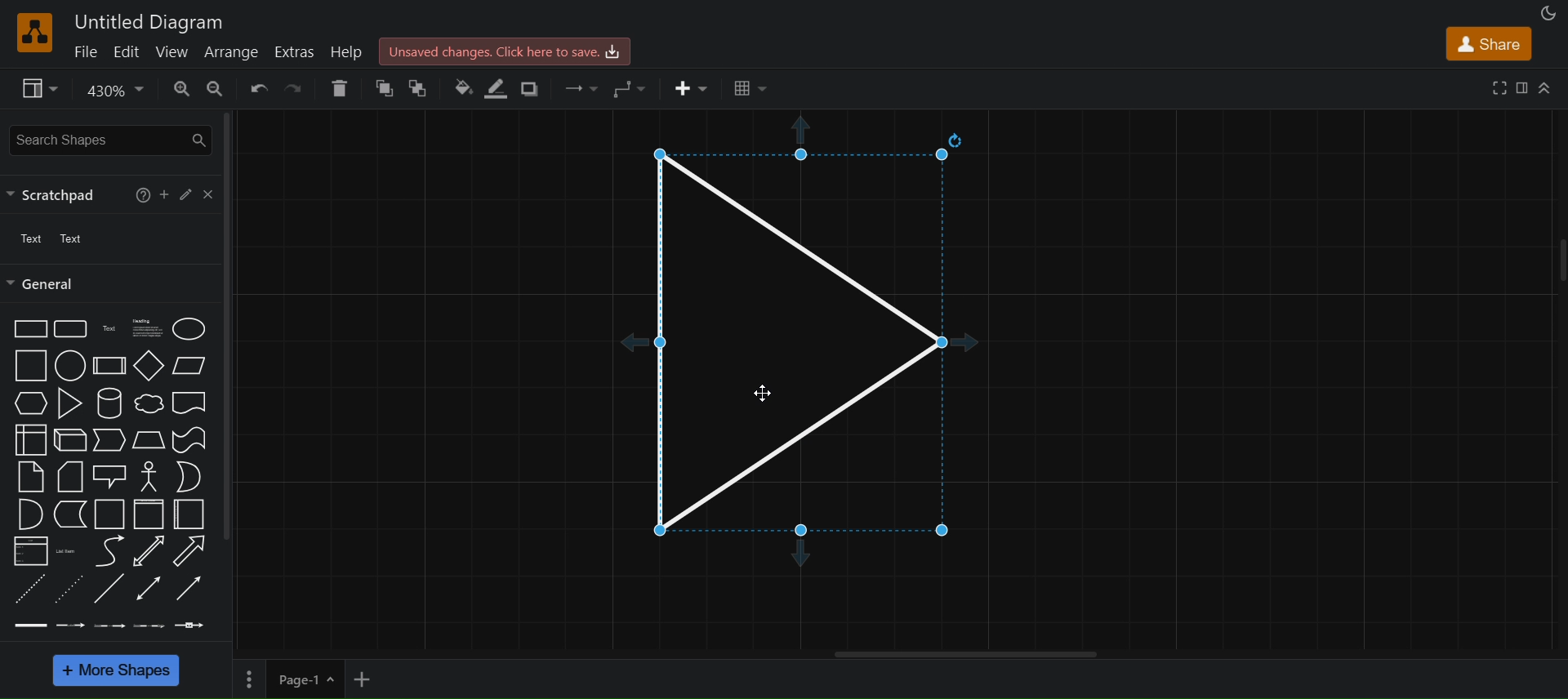  What do you see at coordinates (140, 194) in the screenshot?
I see `help` at bounding box center [140, 194].